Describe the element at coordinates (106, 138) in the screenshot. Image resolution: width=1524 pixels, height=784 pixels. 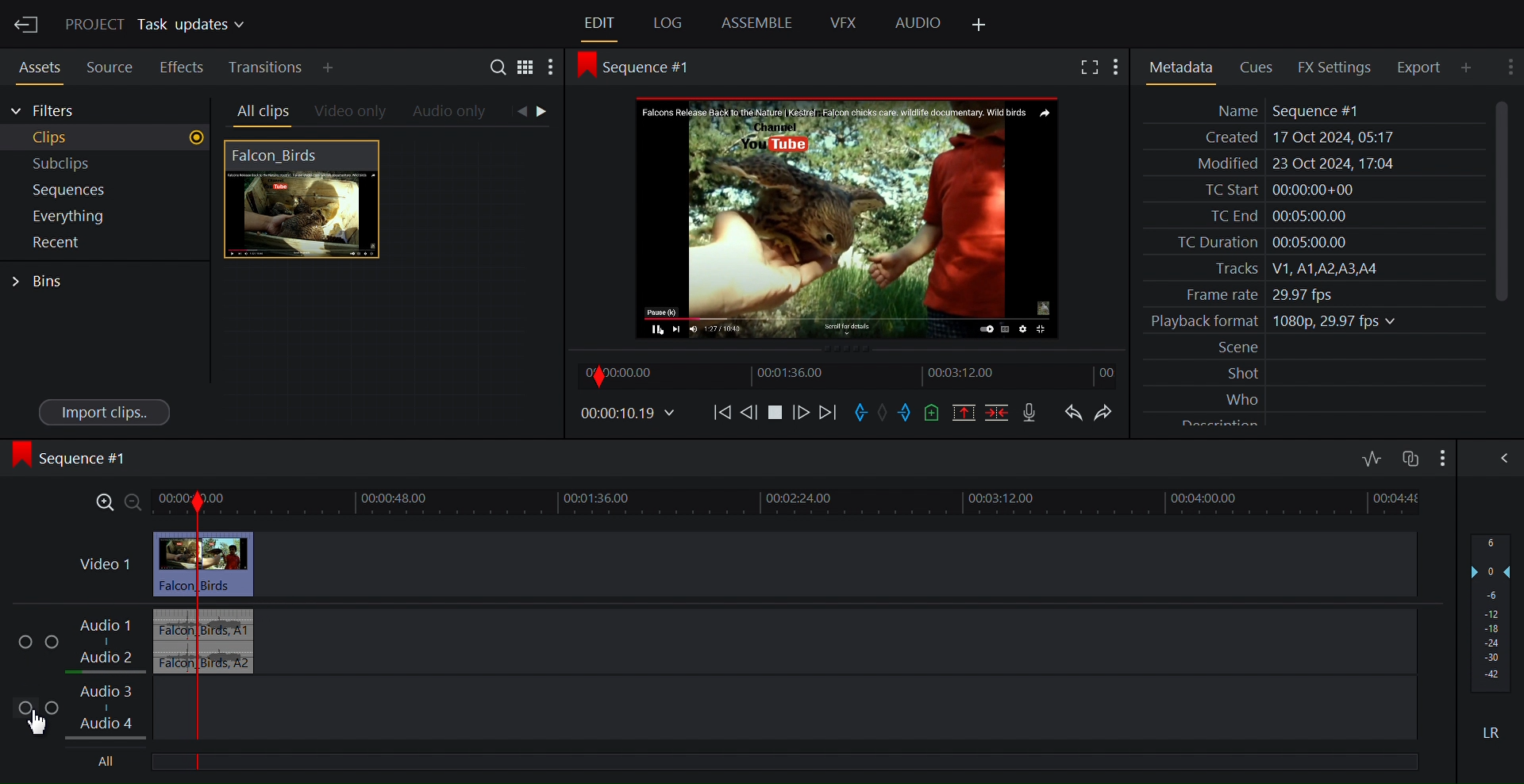
I see `Clips` at that location.